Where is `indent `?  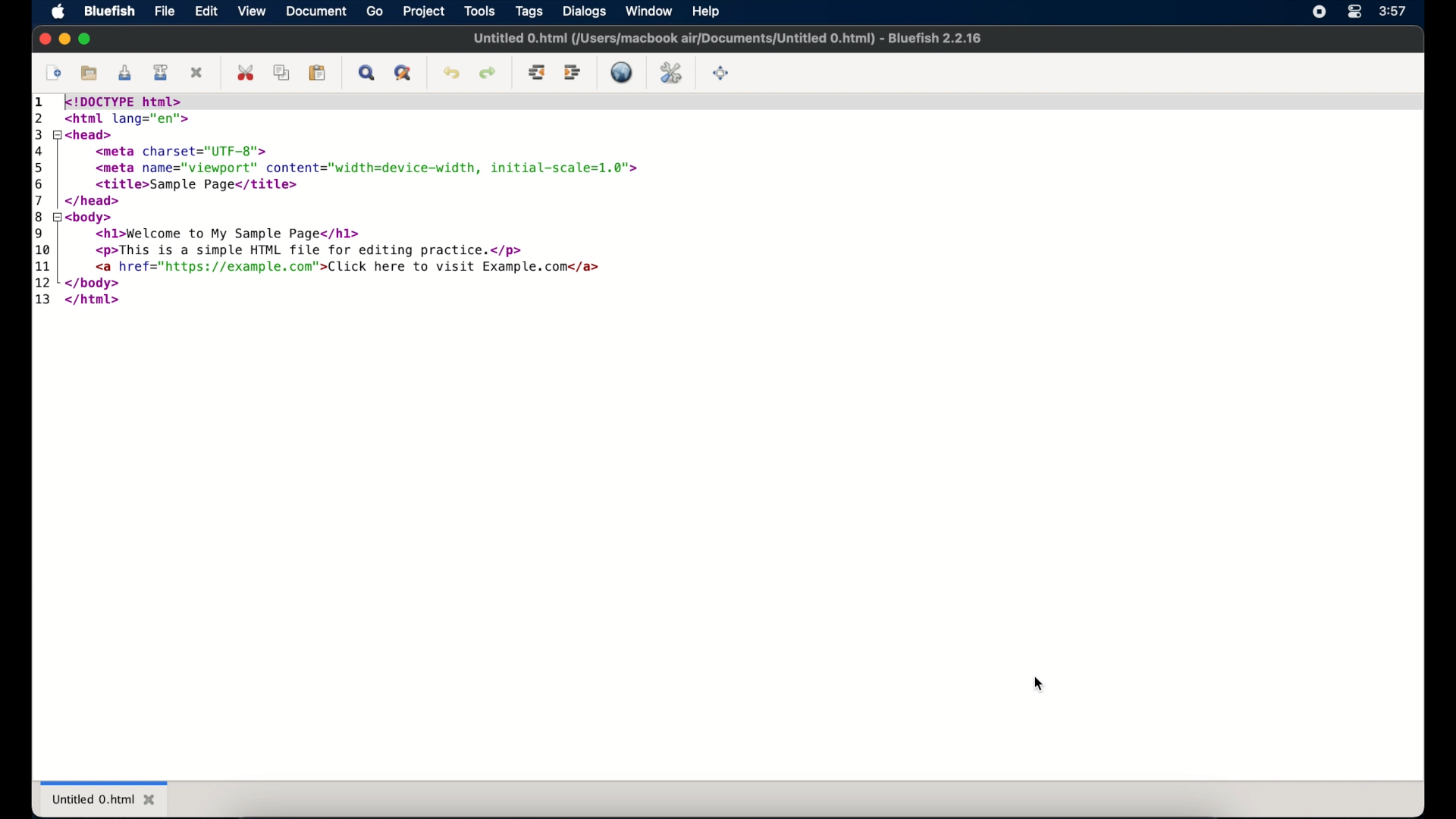
indent  is located at coordinates (573, 73).